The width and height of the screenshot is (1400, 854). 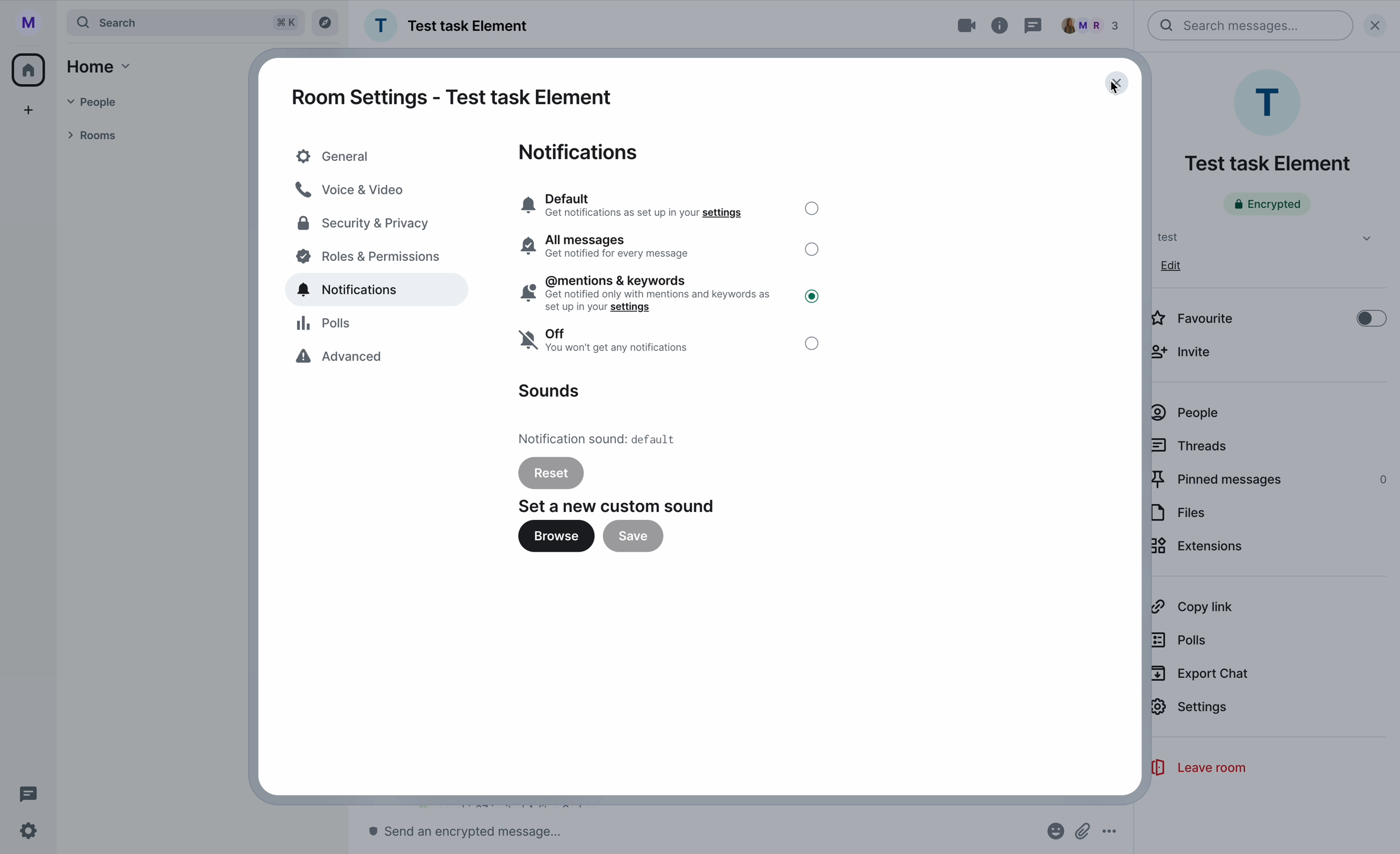 What do you see at coordinates (956, 26) in the screenshot?
I see `video call` at bounding box center [956, 26].